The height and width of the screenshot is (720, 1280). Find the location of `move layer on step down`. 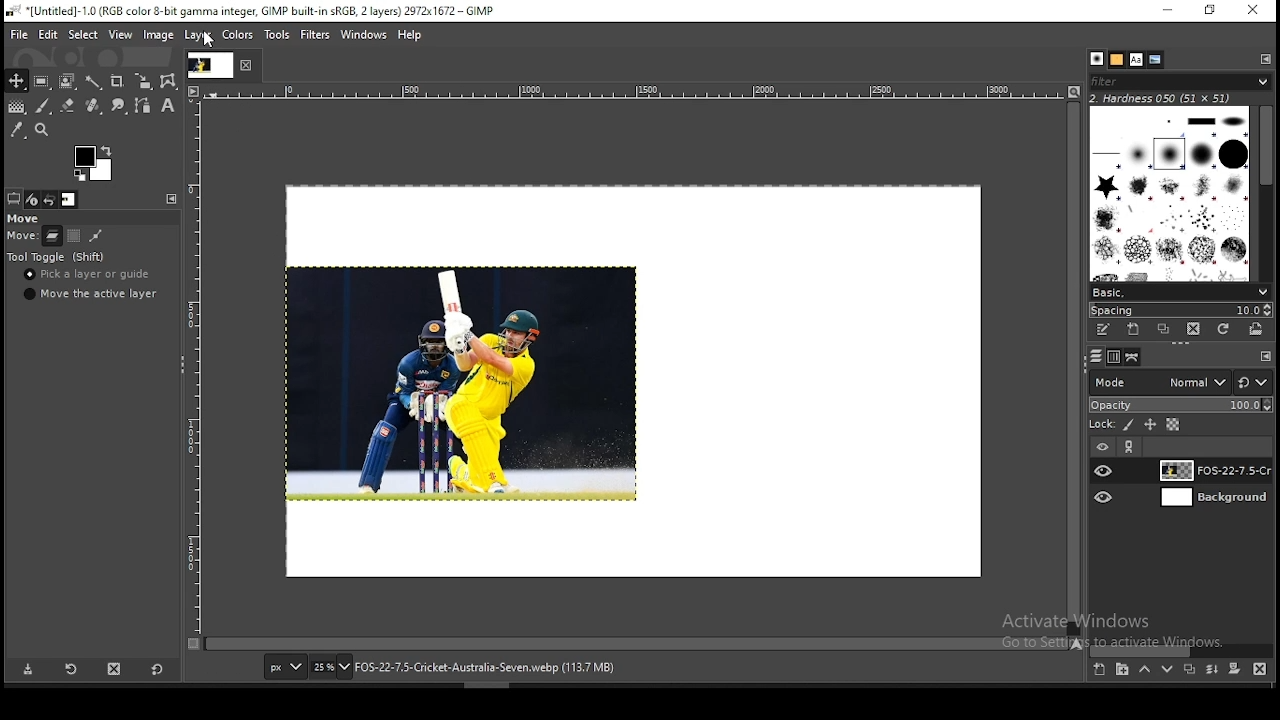

move layer on step down is located at coordinates (1168, 672).